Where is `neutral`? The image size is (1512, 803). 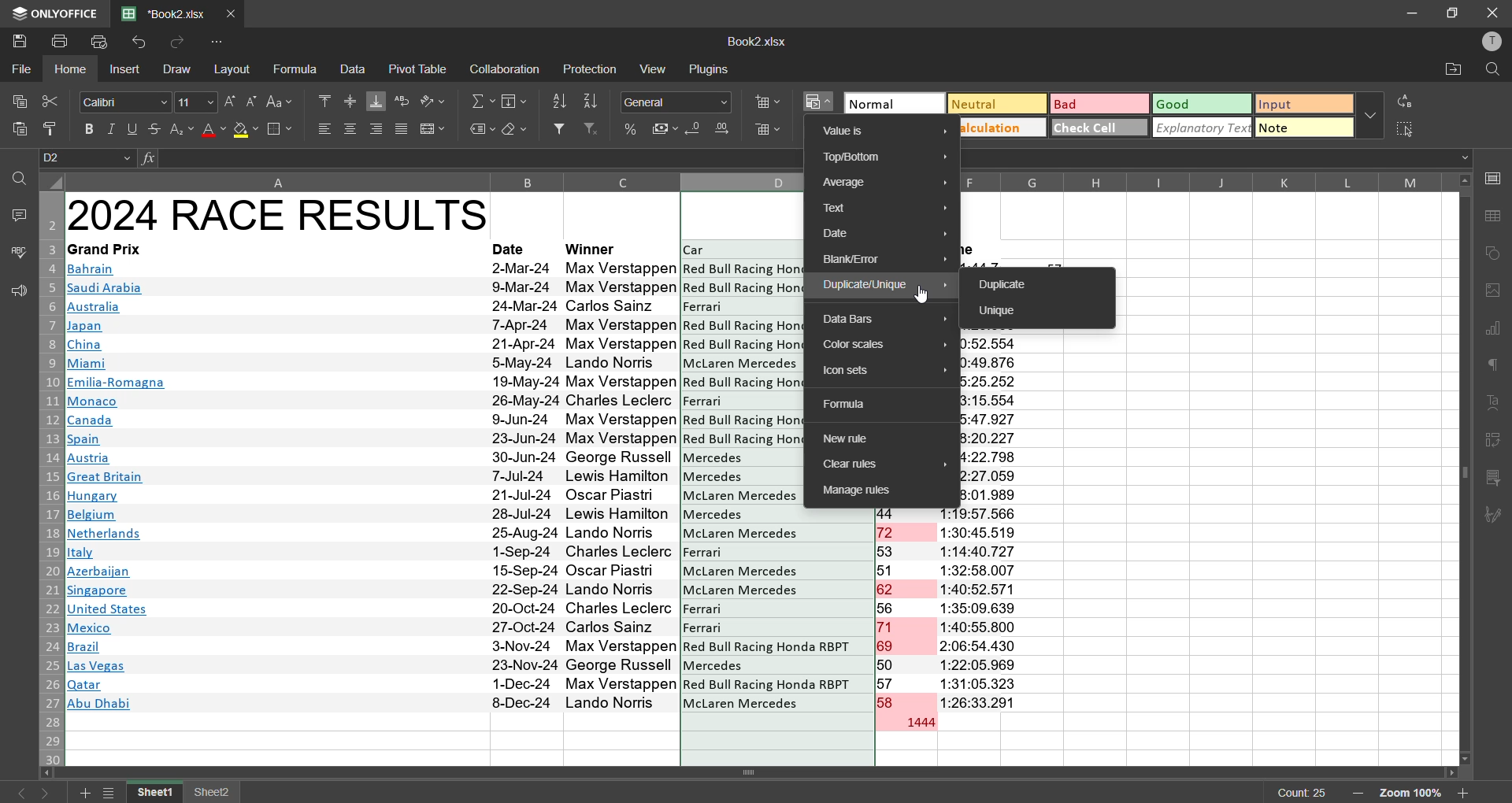
neutral is located at coordinates (993, 103).